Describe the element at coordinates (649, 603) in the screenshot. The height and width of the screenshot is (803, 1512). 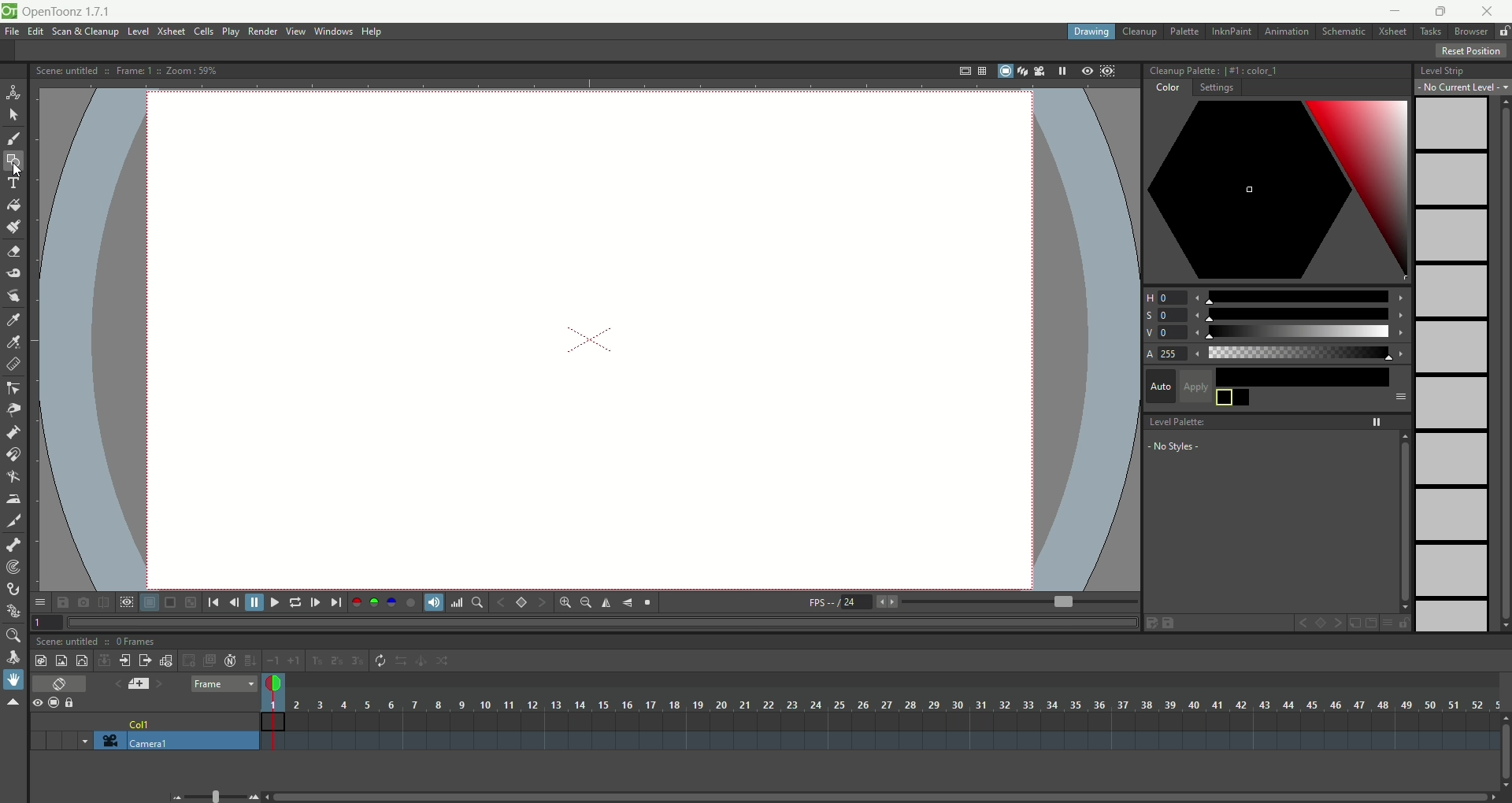
I see `reset view` at that location.